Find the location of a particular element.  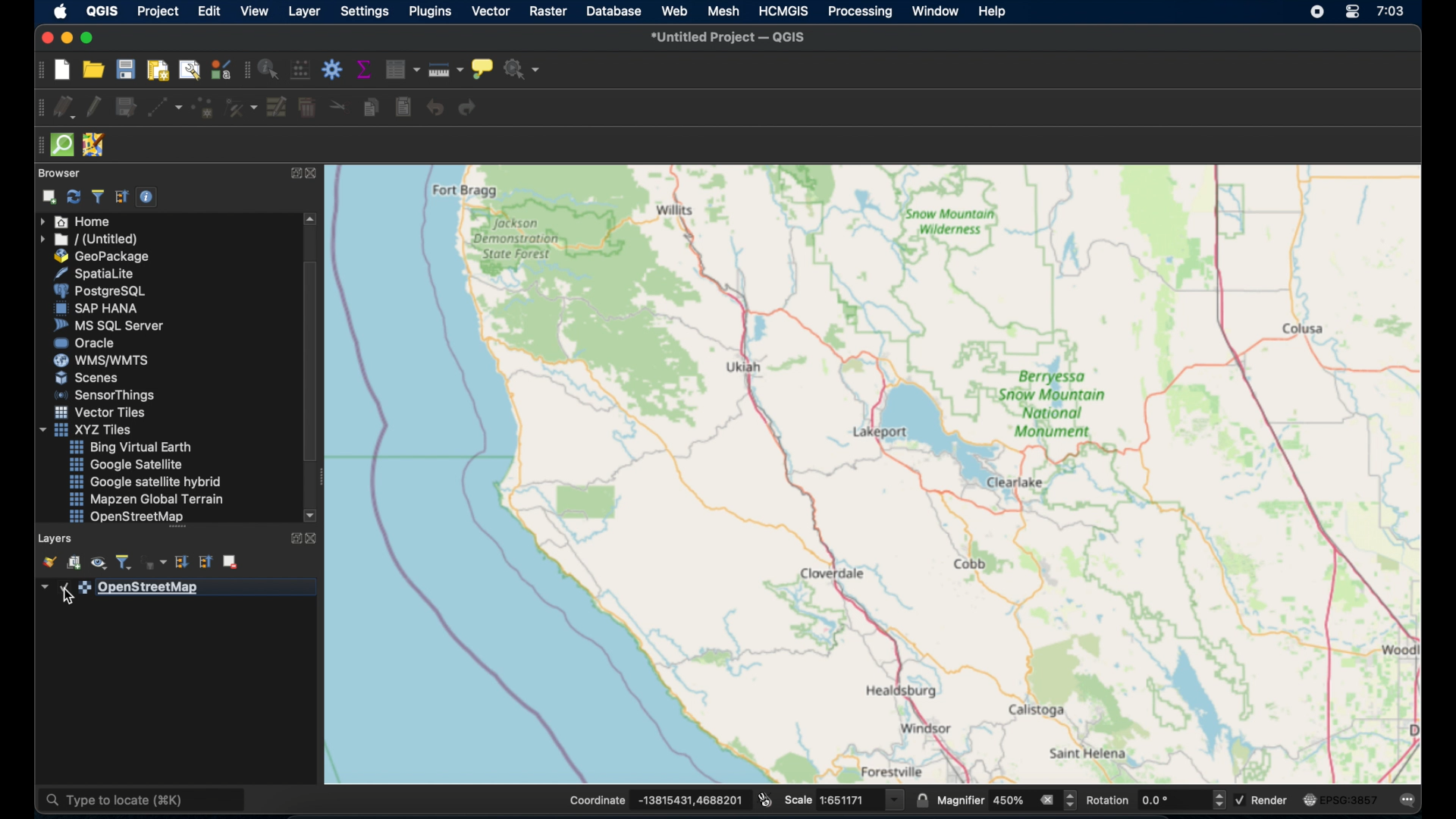

view is located at coordinates (256, 13).